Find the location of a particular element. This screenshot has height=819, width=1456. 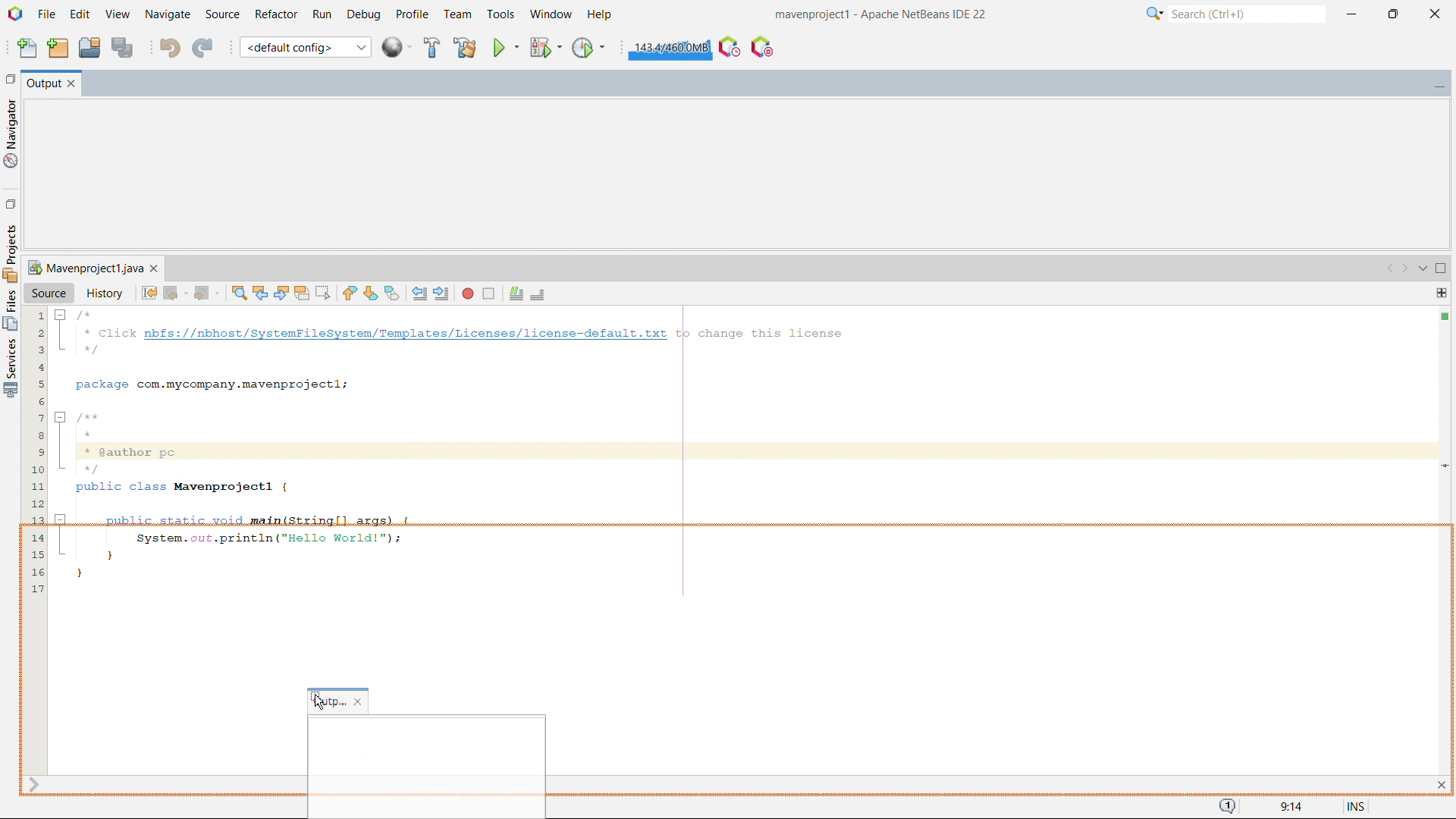

edit is located at coordinates (80, 14).